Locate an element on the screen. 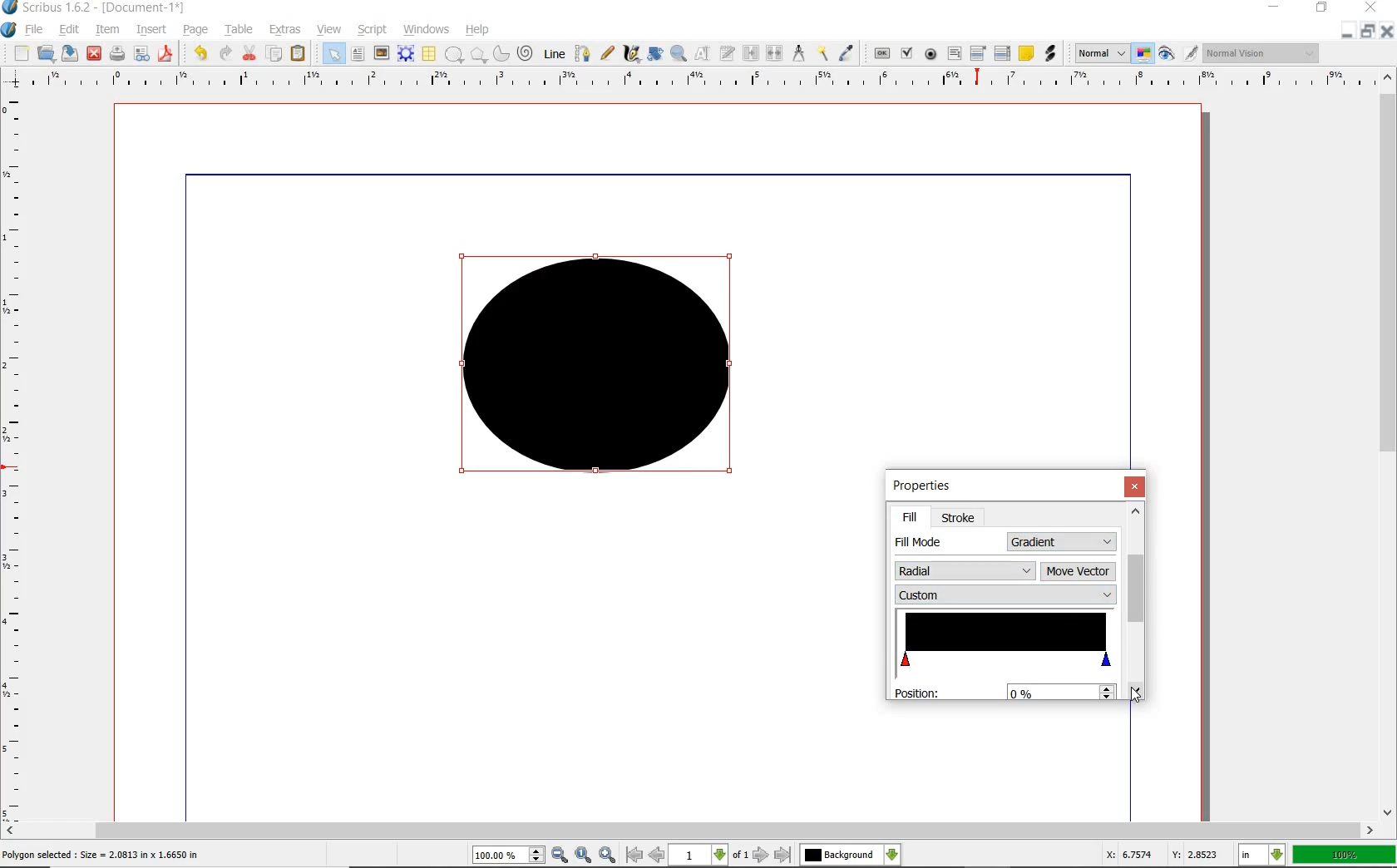  UNLINK TEXT FRAME is located at coordinates (773, 52).